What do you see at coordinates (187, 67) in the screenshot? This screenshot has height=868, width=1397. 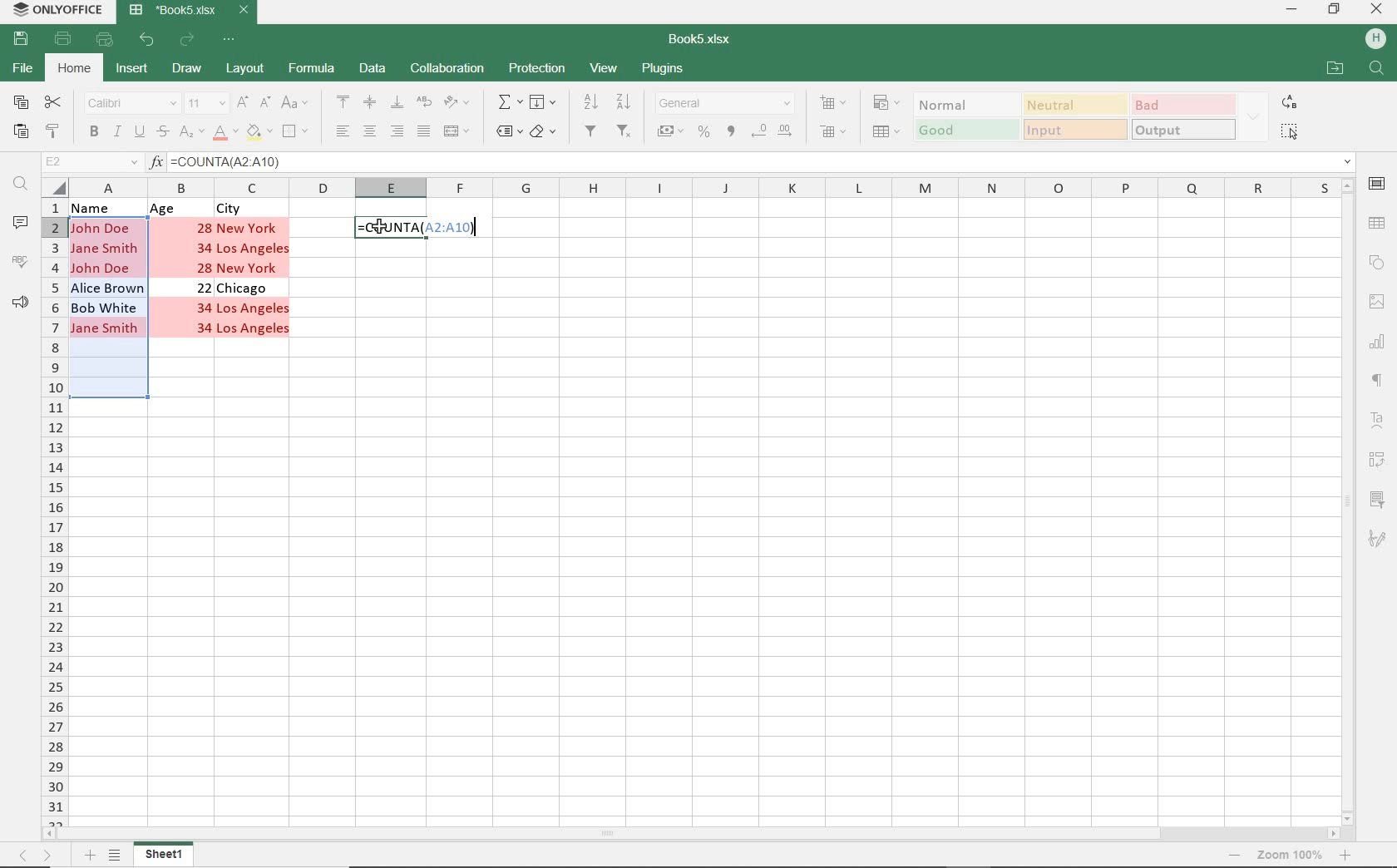 I see `DRAW` at bounding box center [187, 67].